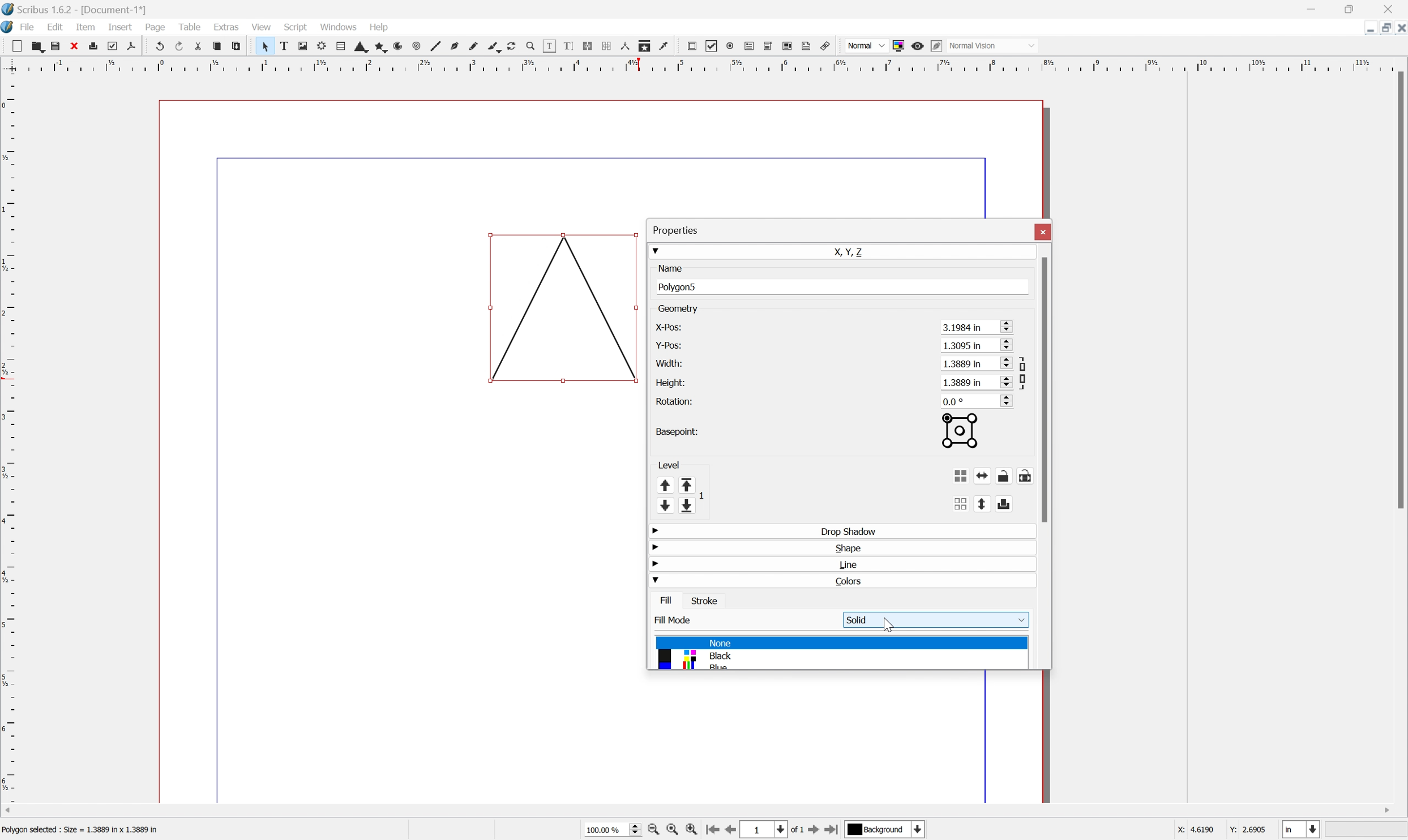 The image size is (1408, 840). Describe the element at coordinates (1381, 28) in the screenshot. I see `Restore Down` at that location.